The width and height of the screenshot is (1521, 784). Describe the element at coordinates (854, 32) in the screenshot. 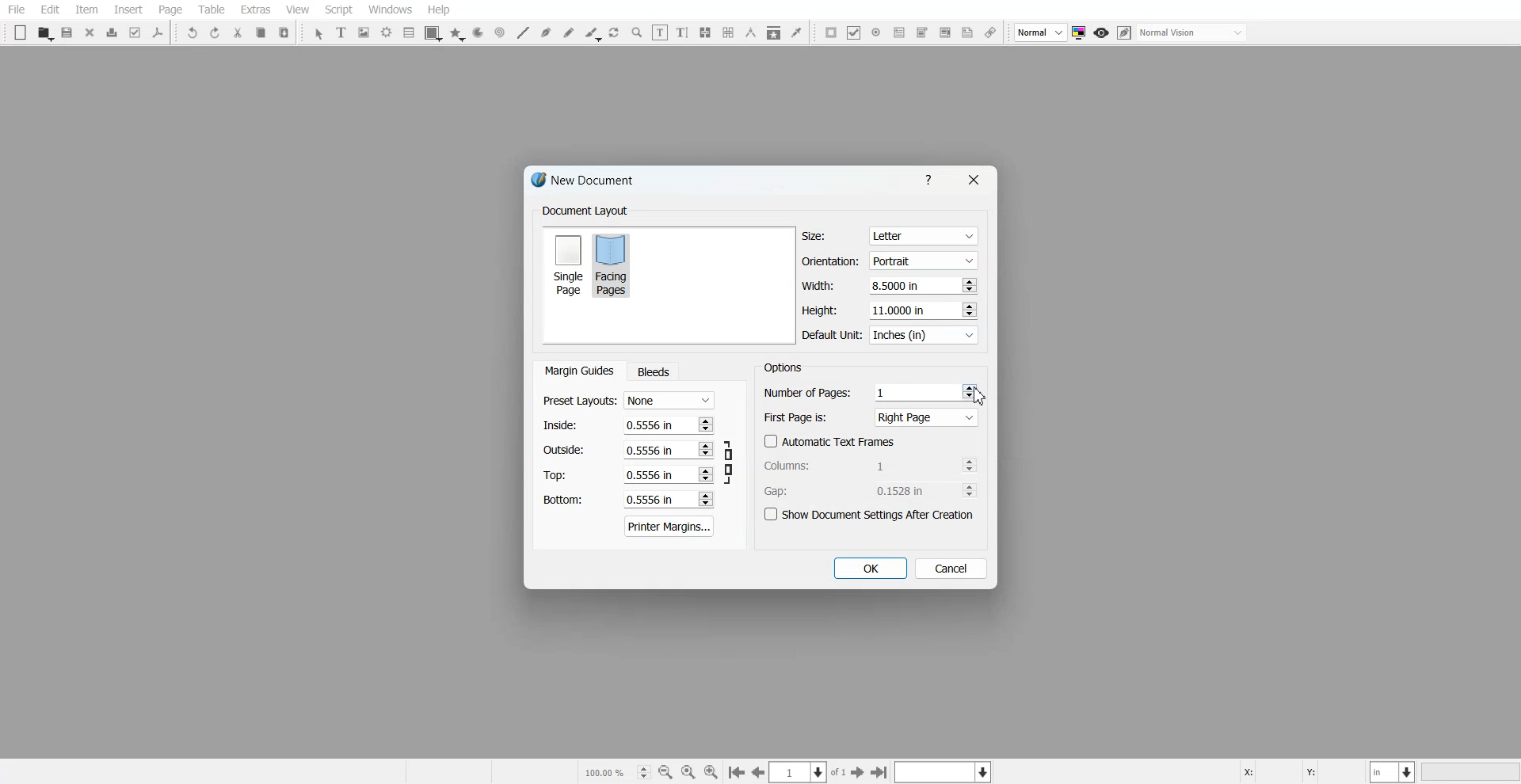

I see `PDF Check Box` at that location.